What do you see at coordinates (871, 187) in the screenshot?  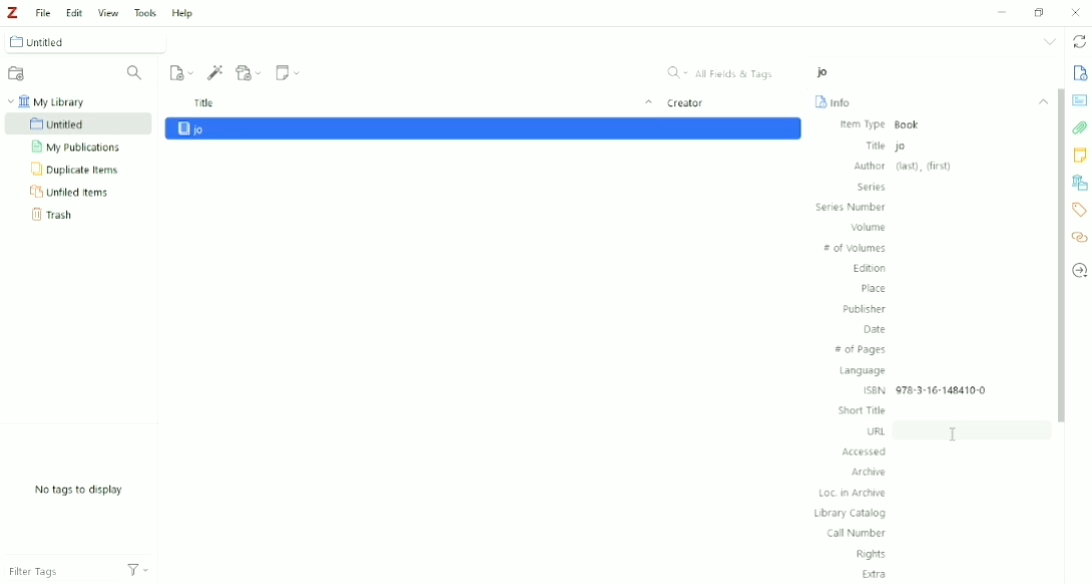 I see `Series` at bounding box center [871, 187].